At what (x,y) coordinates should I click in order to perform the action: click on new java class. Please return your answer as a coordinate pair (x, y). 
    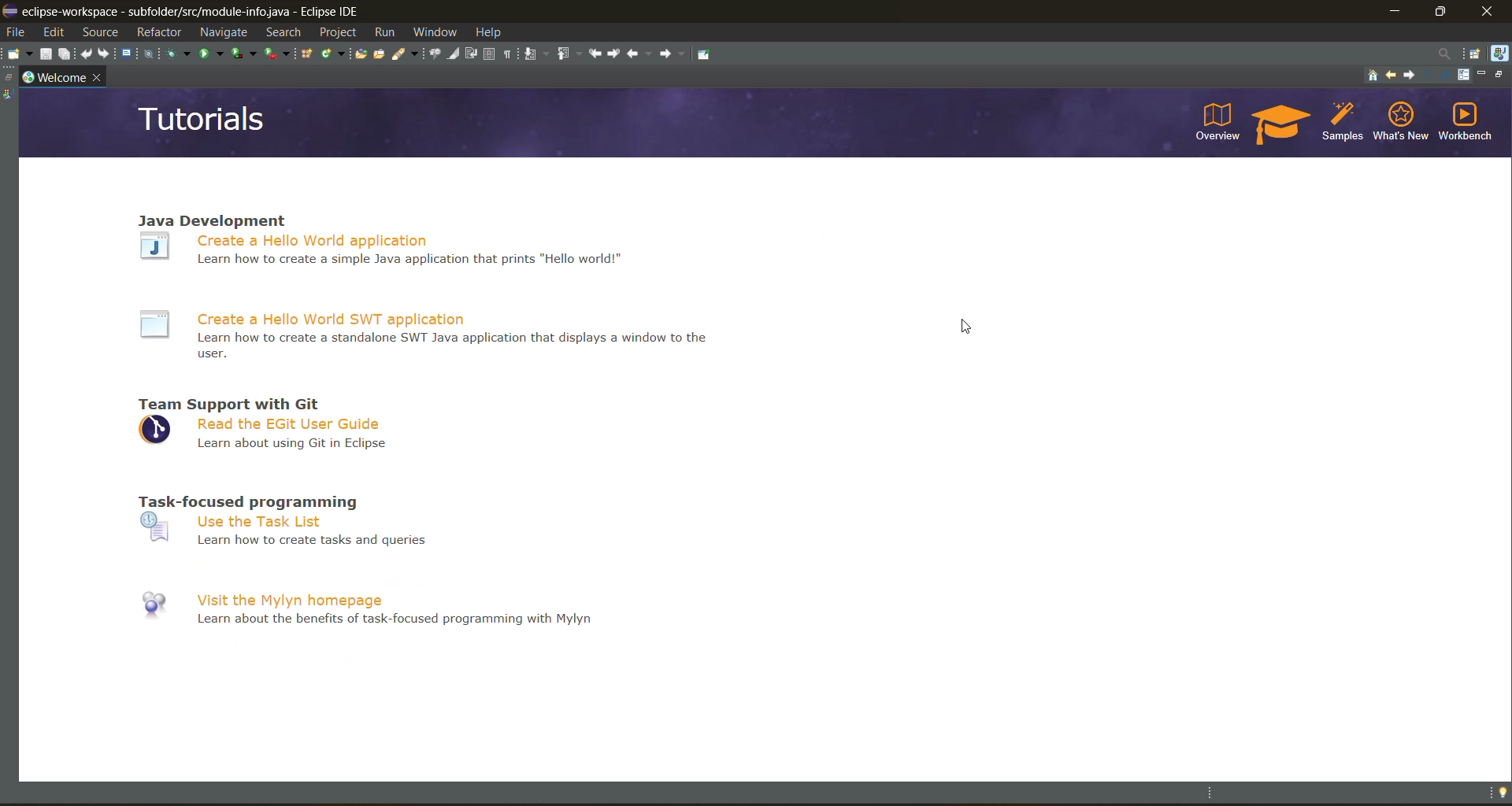
    Looking at the image, I should click on (335, 54).